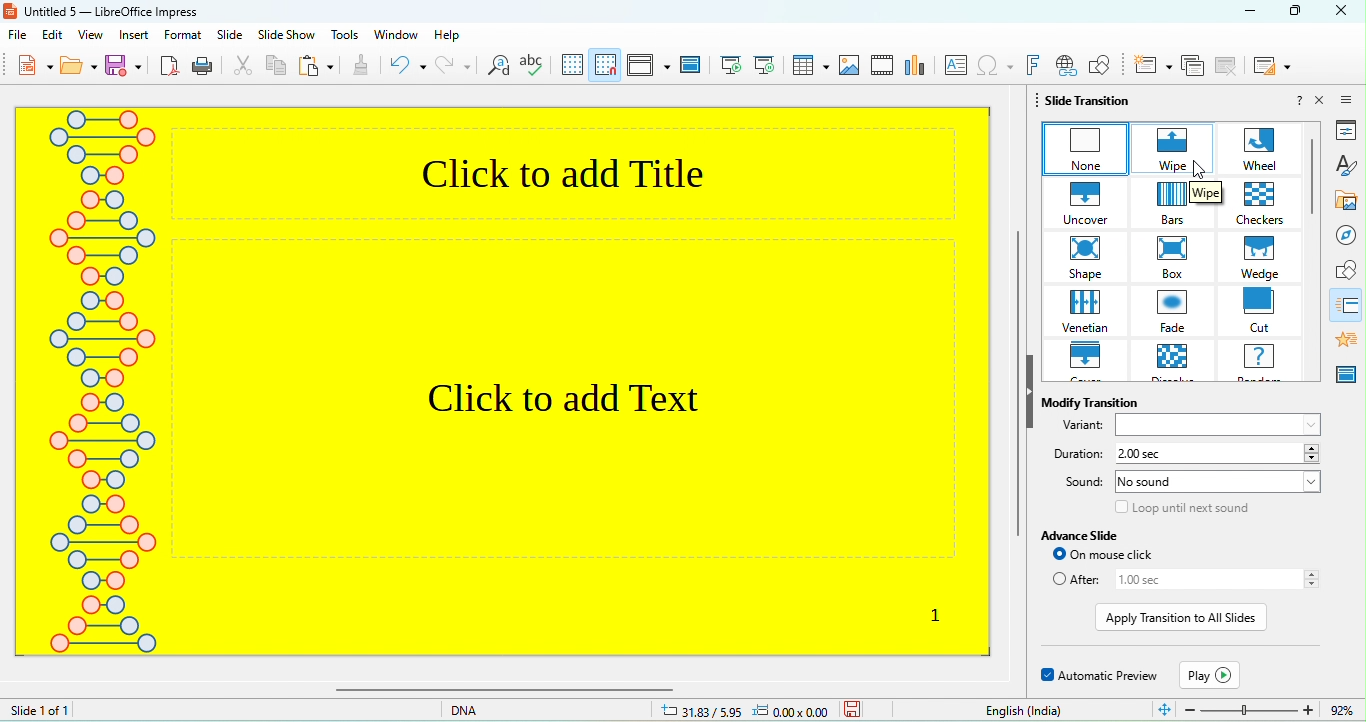 Image resolution: width=1366 pixels, height=722 pixels. I want to click on cursor movement, so click(1204, 172).